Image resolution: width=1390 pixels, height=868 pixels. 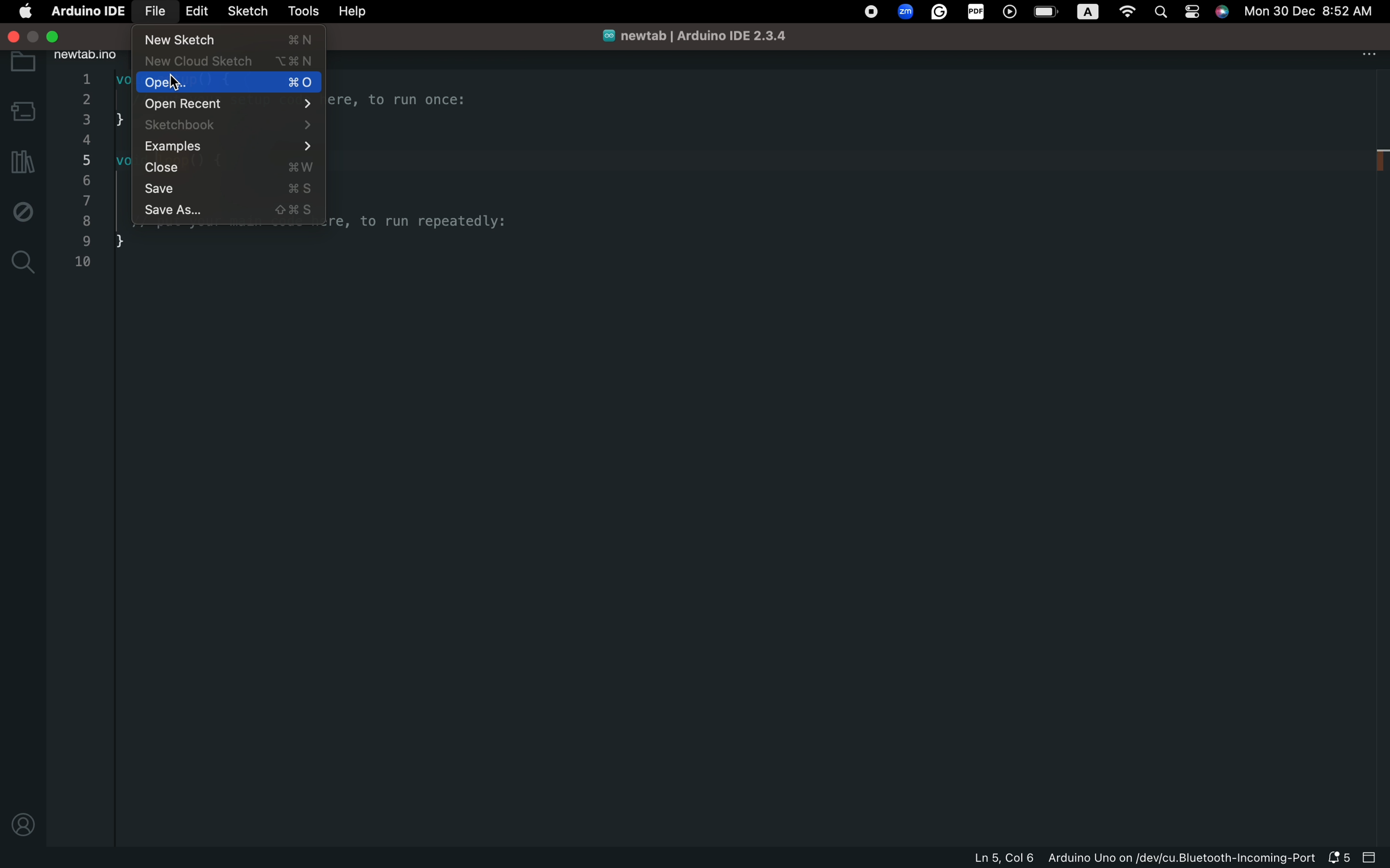 What do you see at coordinates (227, 107) in the screenshot?
I see `open recent` at bounding box center [227, 107].